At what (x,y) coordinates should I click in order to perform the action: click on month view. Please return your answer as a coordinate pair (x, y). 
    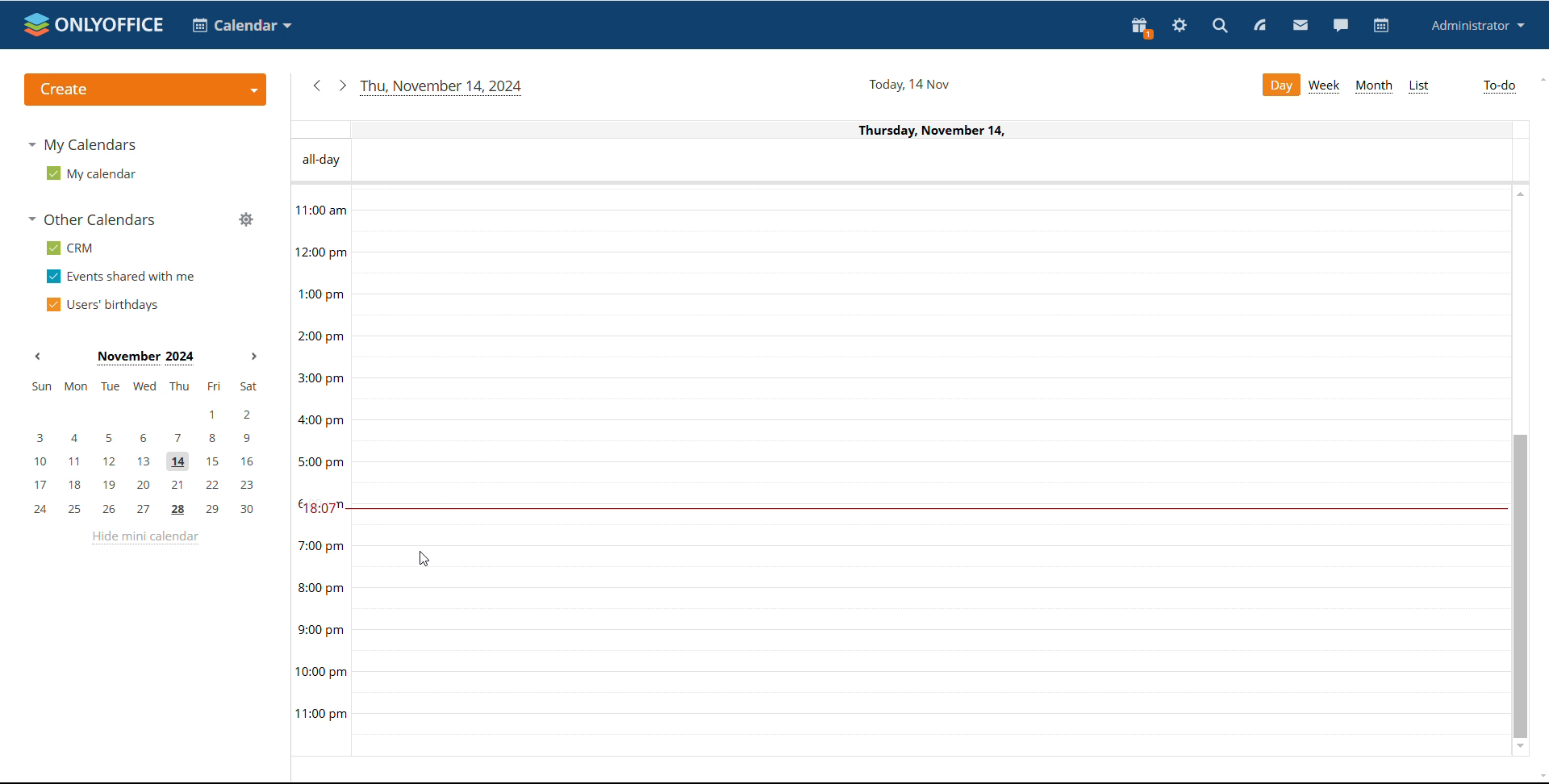
    Looking at the image, I should click on (1373, 87).